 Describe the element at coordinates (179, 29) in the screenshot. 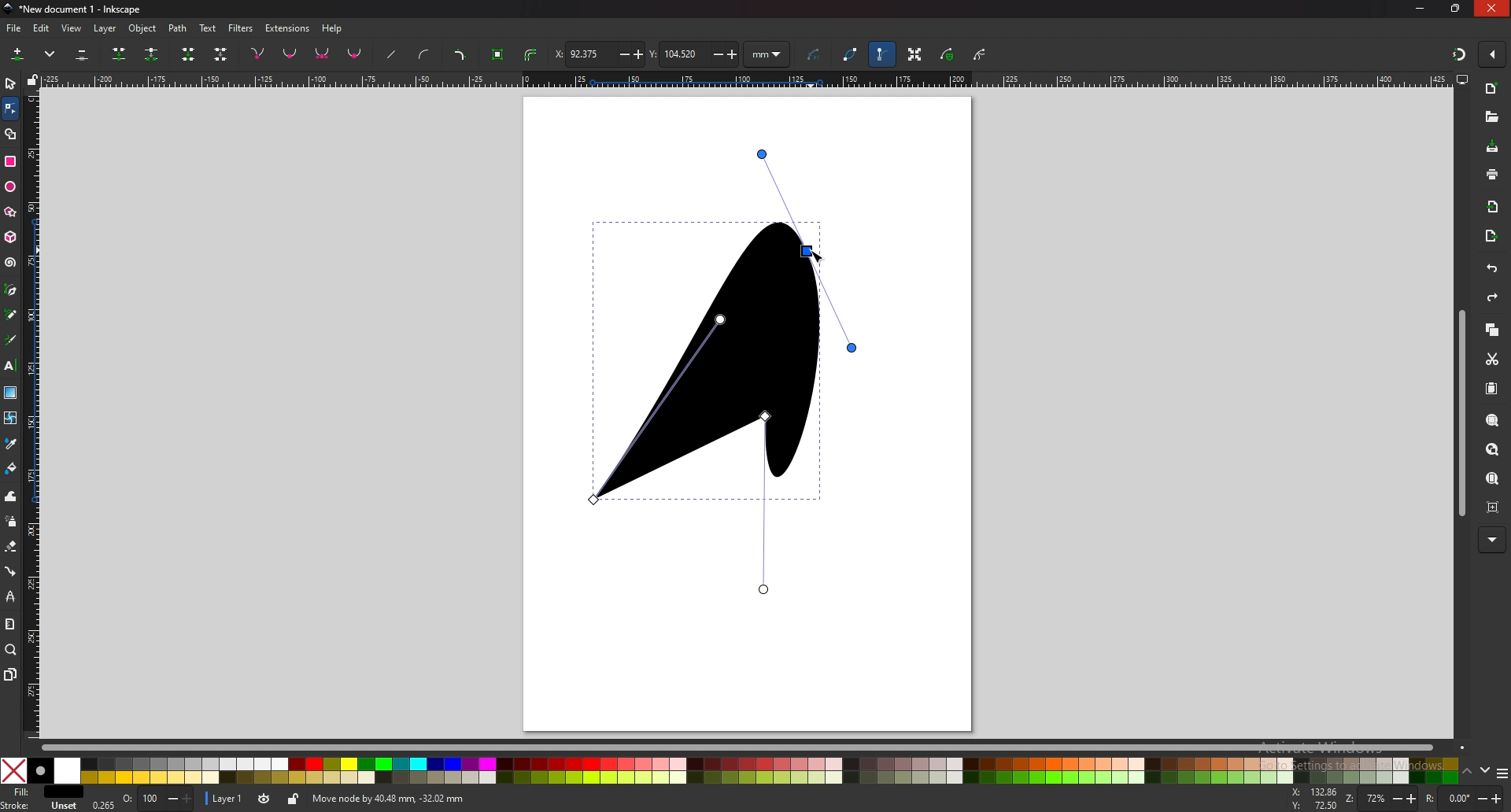

I see `path` at that location.